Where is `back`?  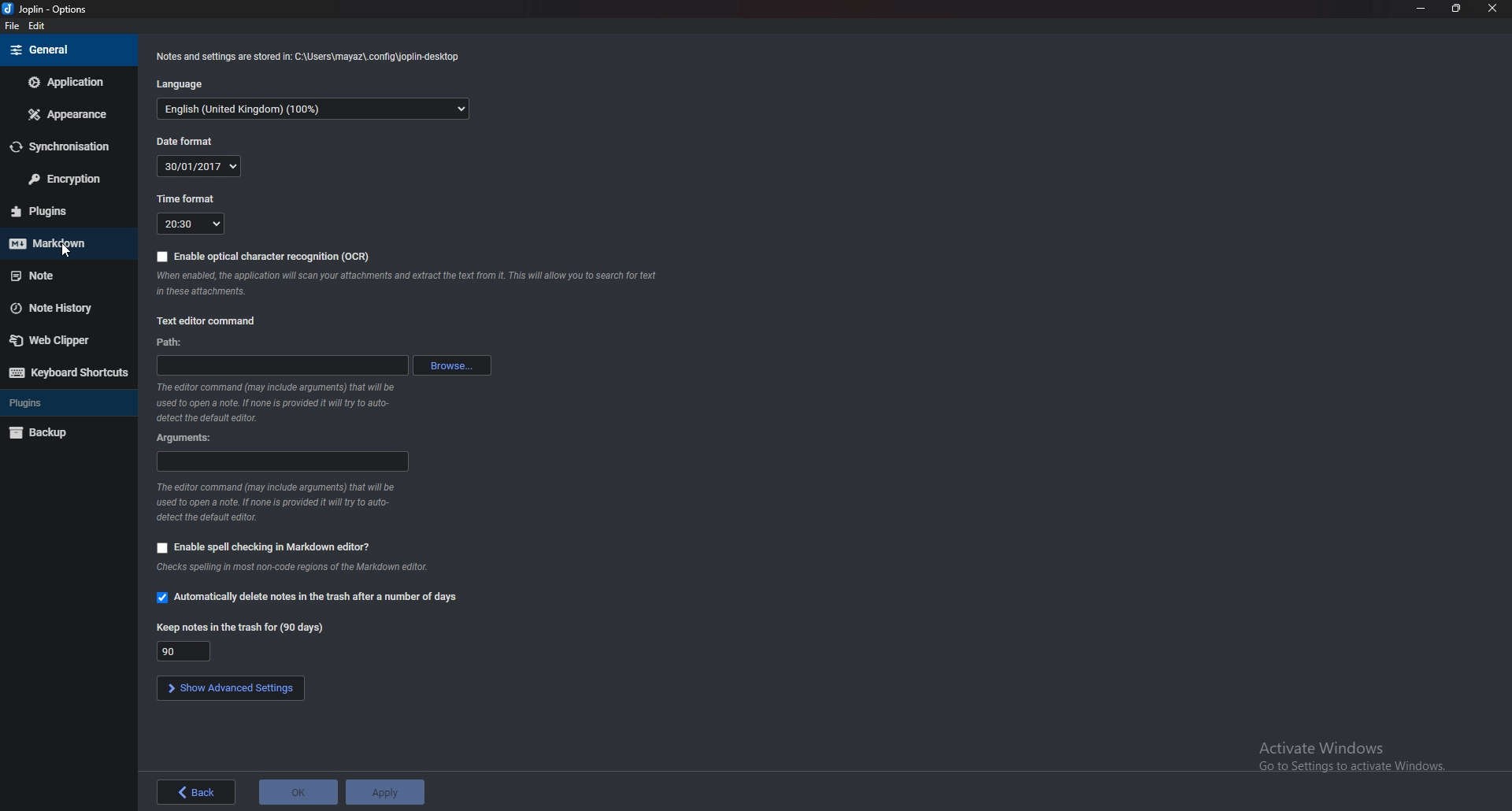
back is located at coordinates (196, 791).